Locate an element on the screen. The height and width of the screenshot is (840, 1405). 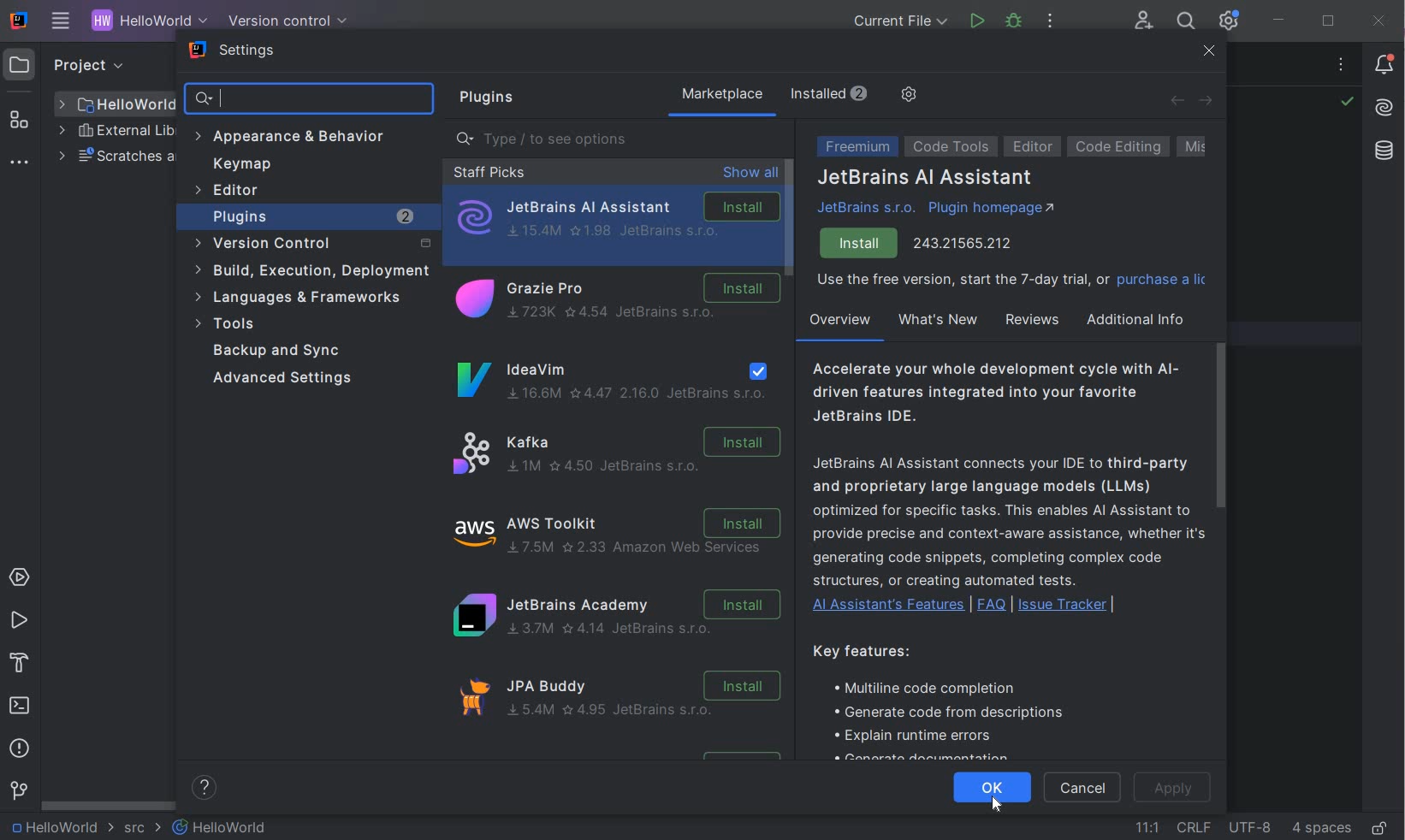
code editing is located at coordinates (1118, 146).